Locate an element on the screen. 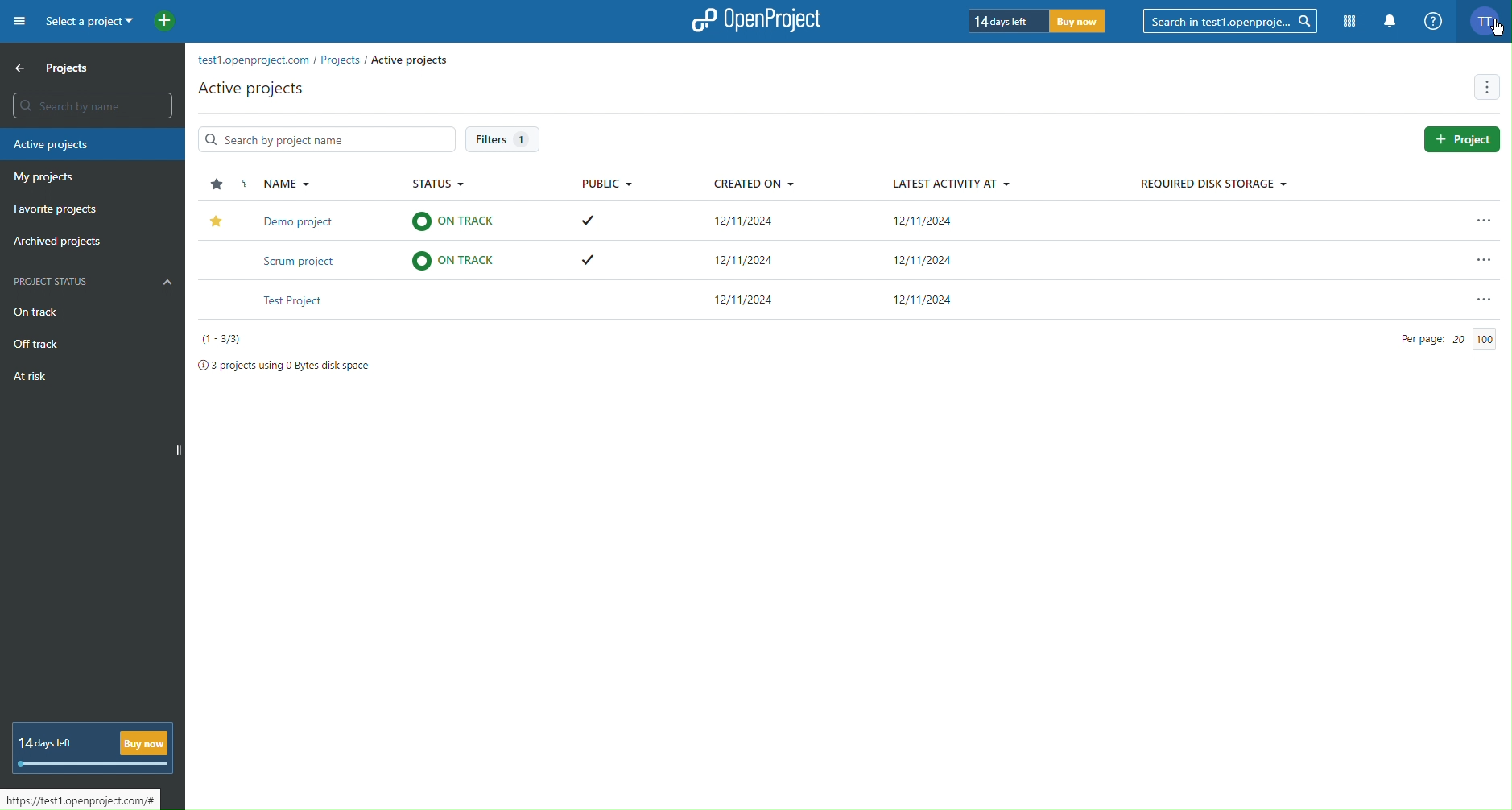 The height and width of the screenshot is (810, 1512). 12/11/2024 is located at coordinates (927, 300).